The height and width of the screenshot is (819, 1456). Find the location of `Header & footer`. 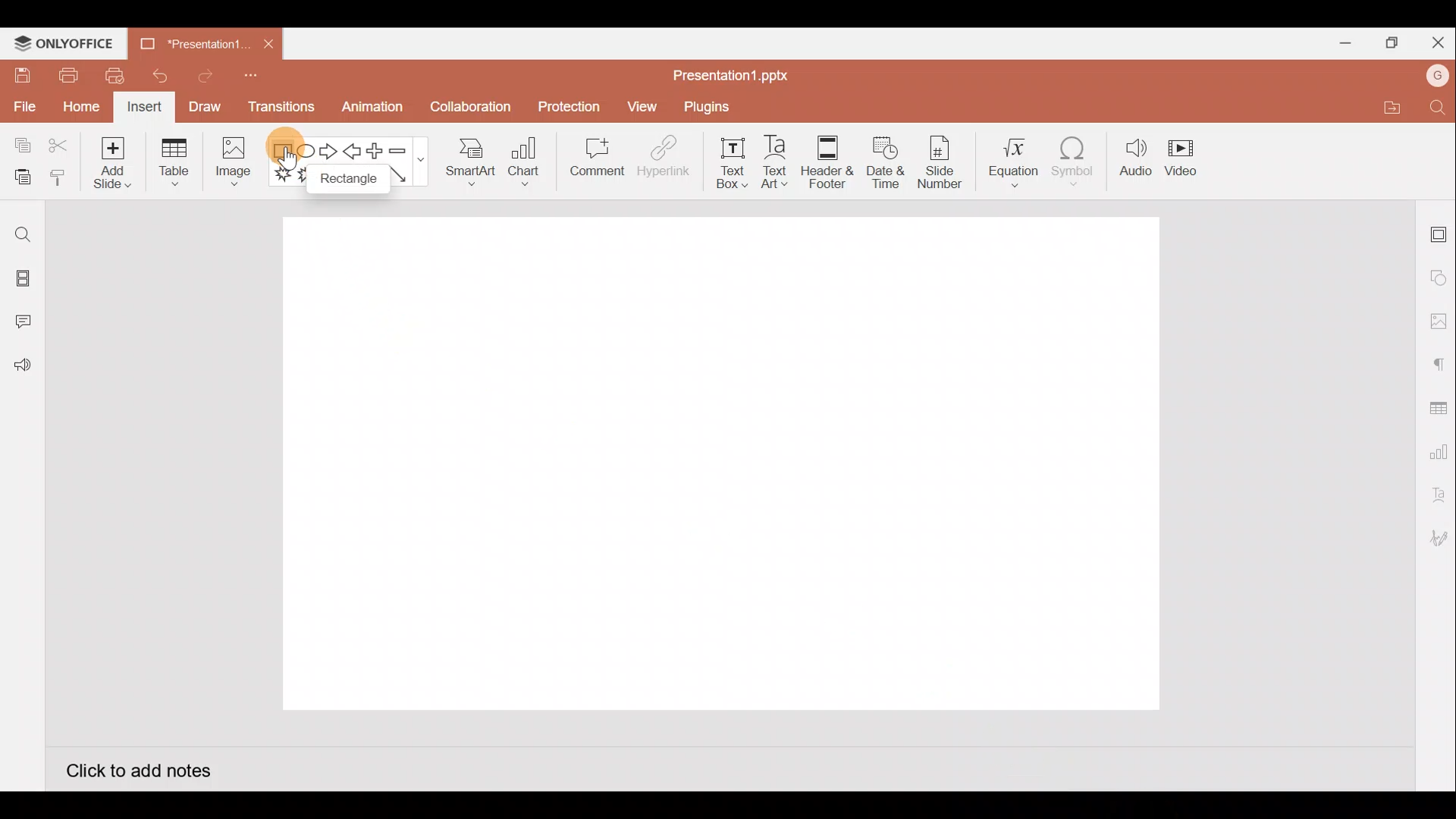

Header & footer is located at coordinates (828, 158).